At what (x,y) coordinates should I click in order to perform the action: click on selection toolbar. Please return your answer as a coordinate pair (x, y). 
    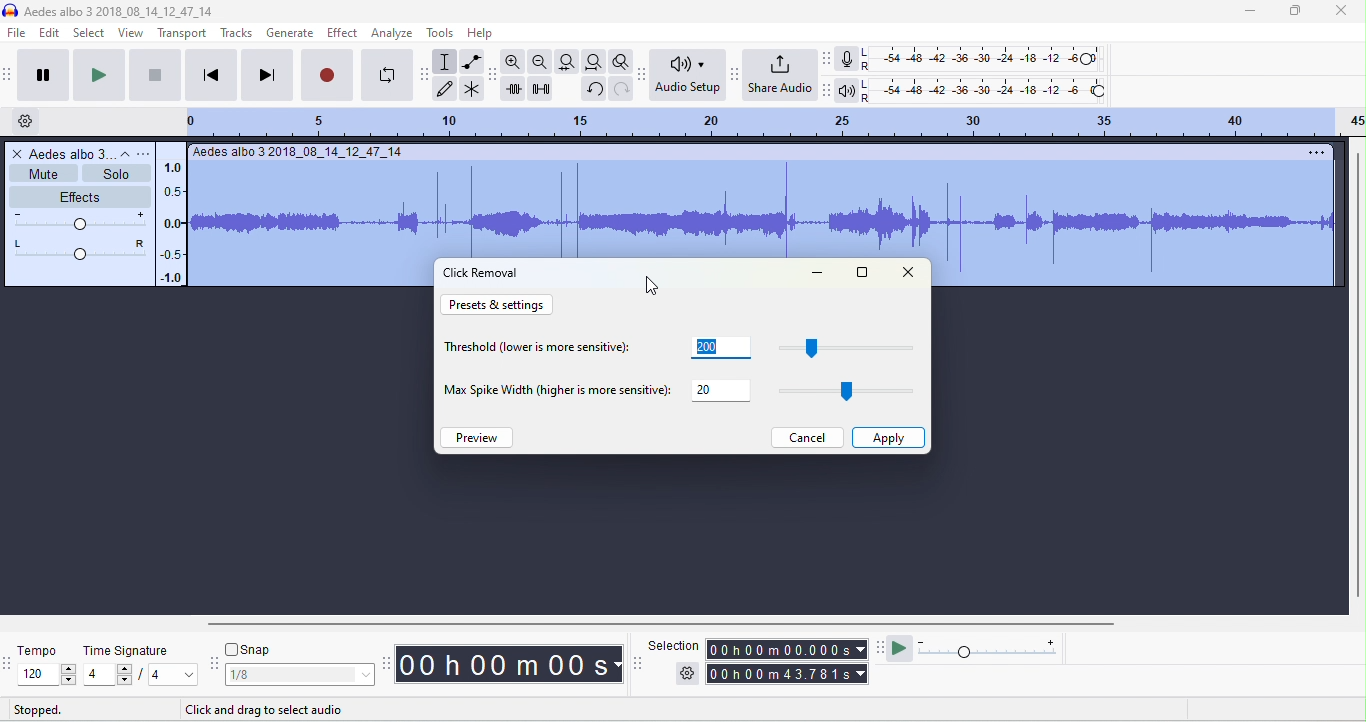
    Looking at the image, I should click on (640, 665).